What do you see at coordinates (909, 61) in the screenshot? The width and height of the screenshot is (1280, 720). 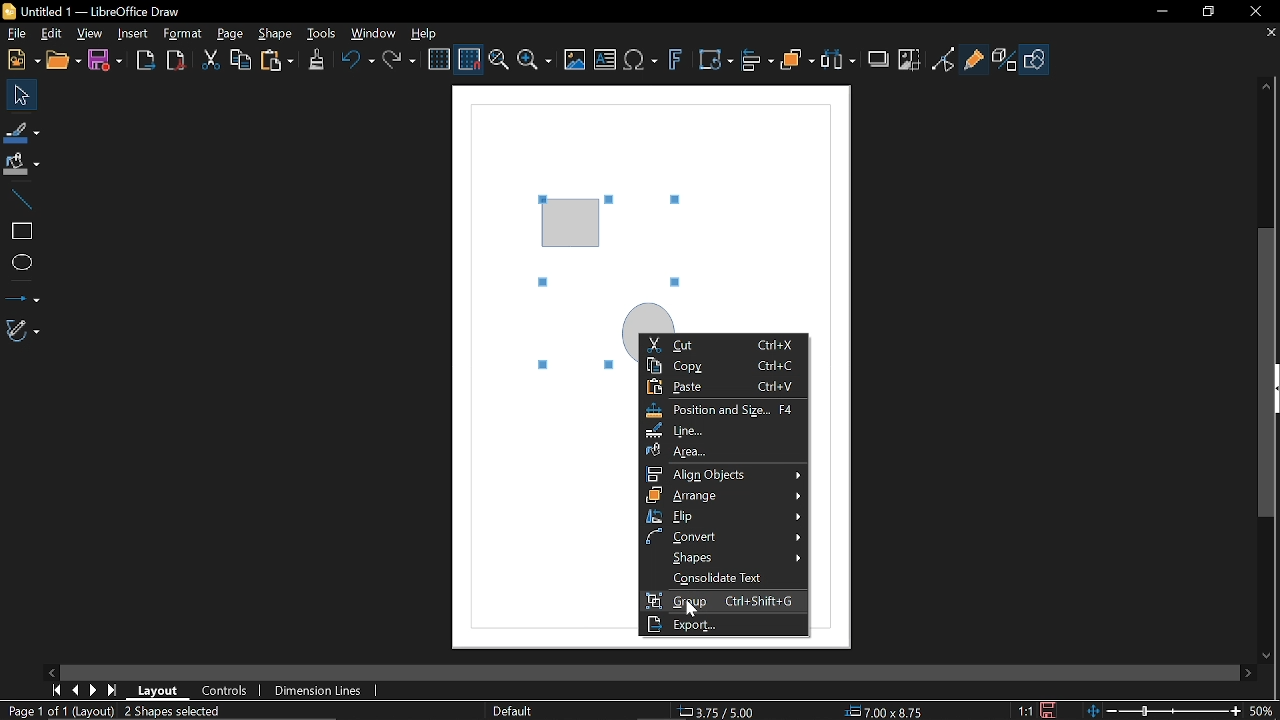 I see `Crop` at bounding box center [909, 61].